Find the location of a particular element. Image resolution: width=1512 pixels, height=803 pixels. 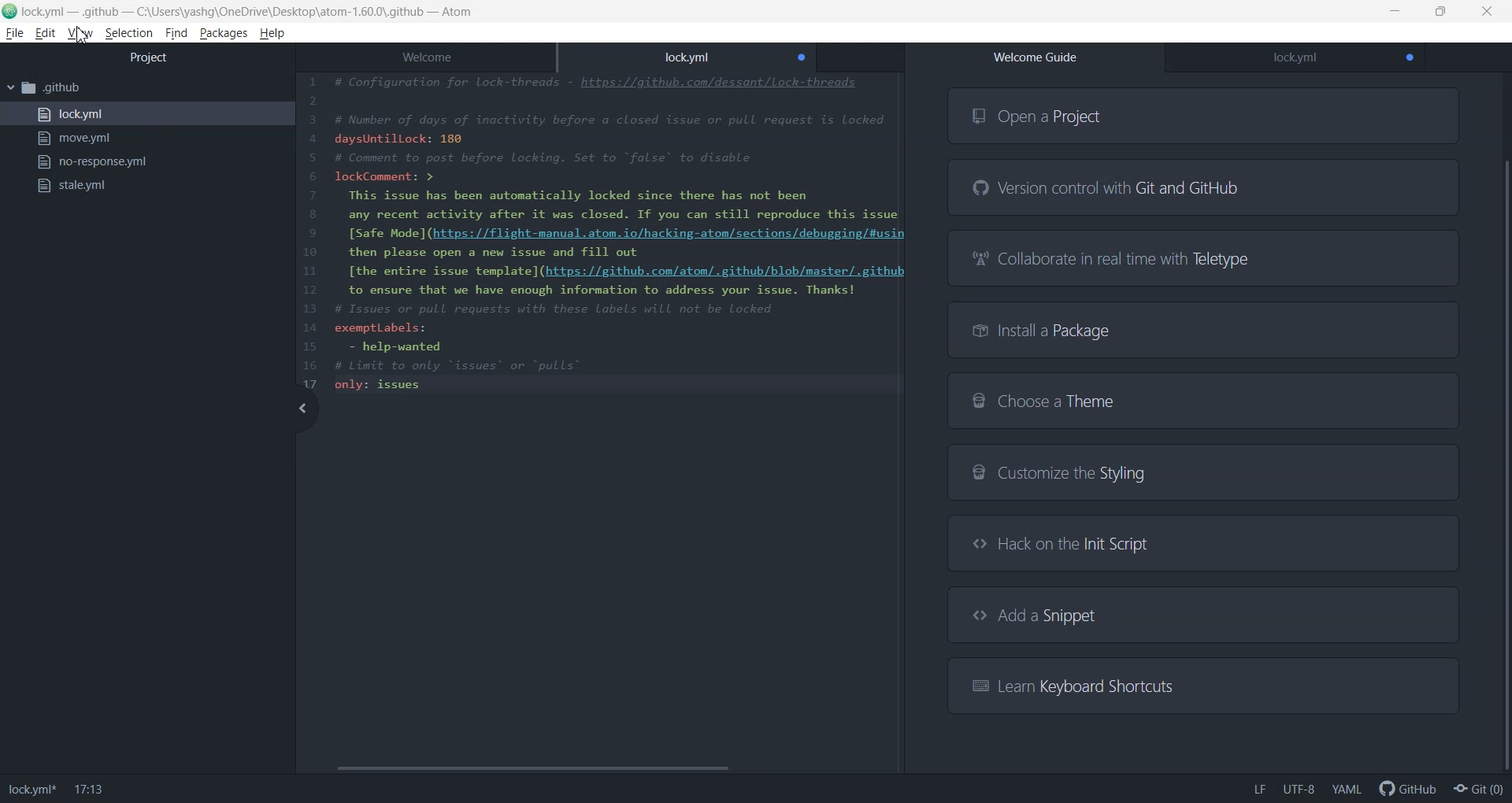

Vertical drag handle is located at coordinates (302, 409).